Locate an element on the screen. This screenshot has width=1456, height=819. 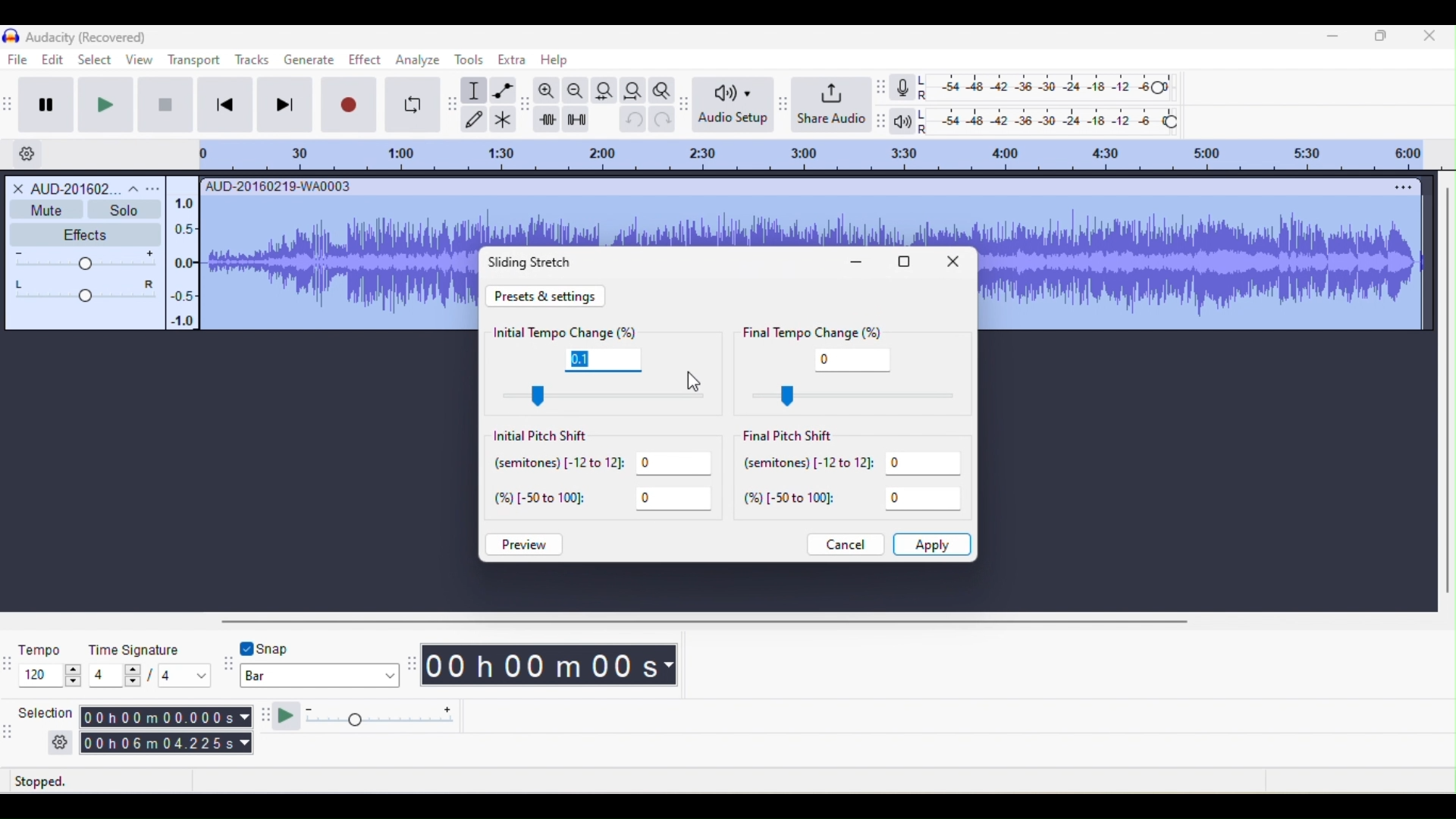
audacity time signature toolbar is located at coordinates (9, 662).